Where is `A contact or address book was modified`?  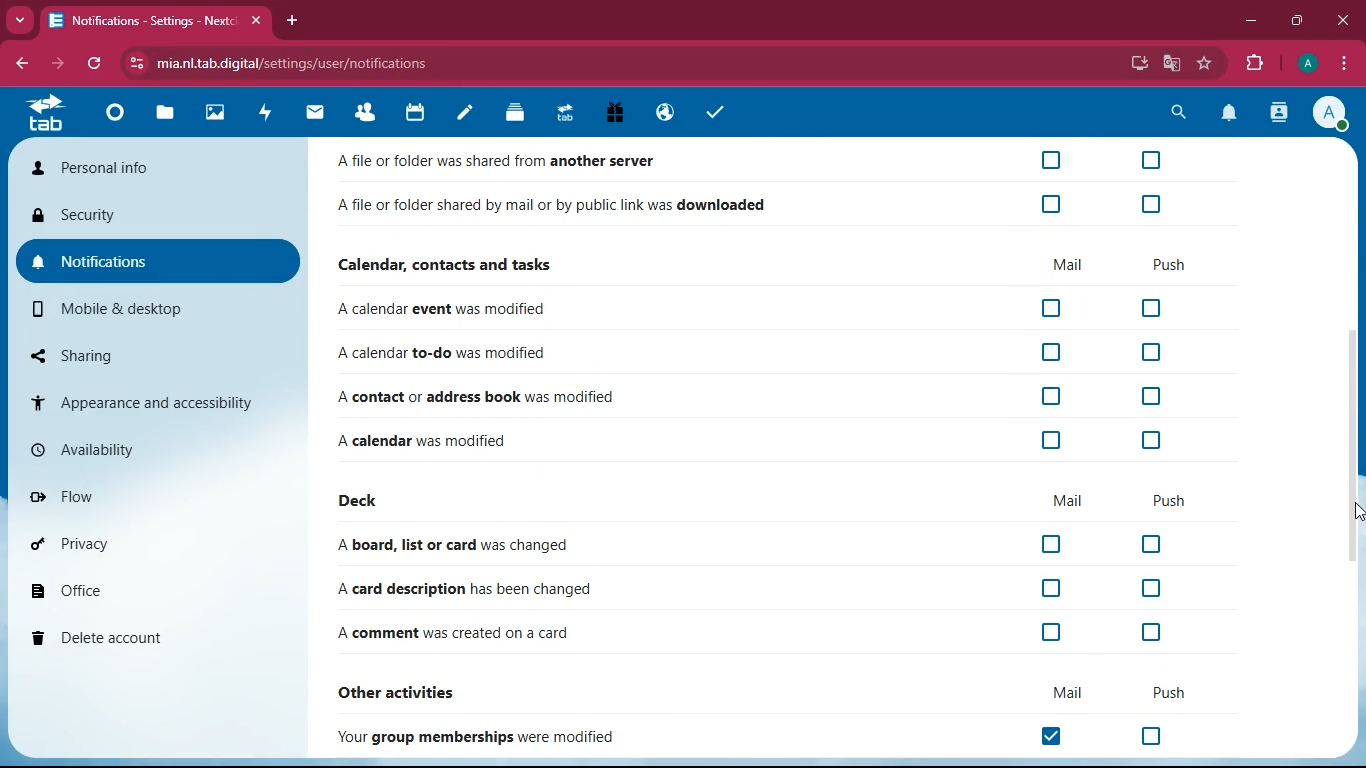
A contact or address book was modified is located at coordinates (475, 396).